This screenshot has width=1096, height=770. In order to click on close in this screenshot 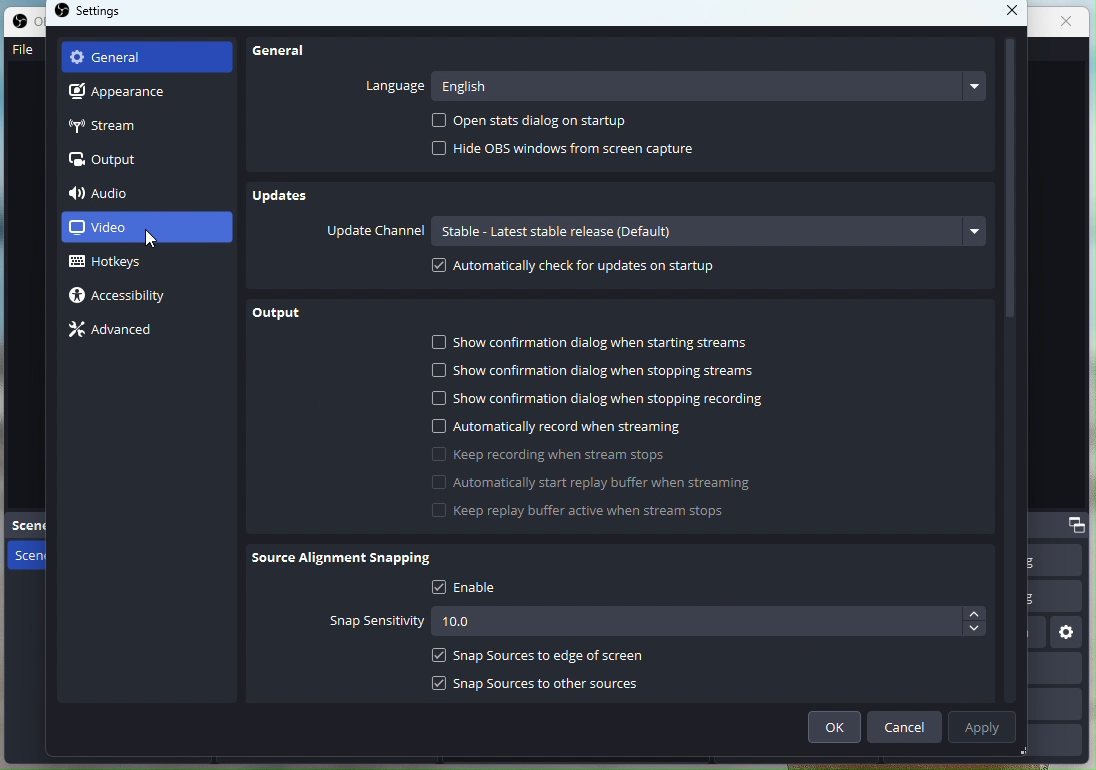, I will do `click(1012, 12)`.